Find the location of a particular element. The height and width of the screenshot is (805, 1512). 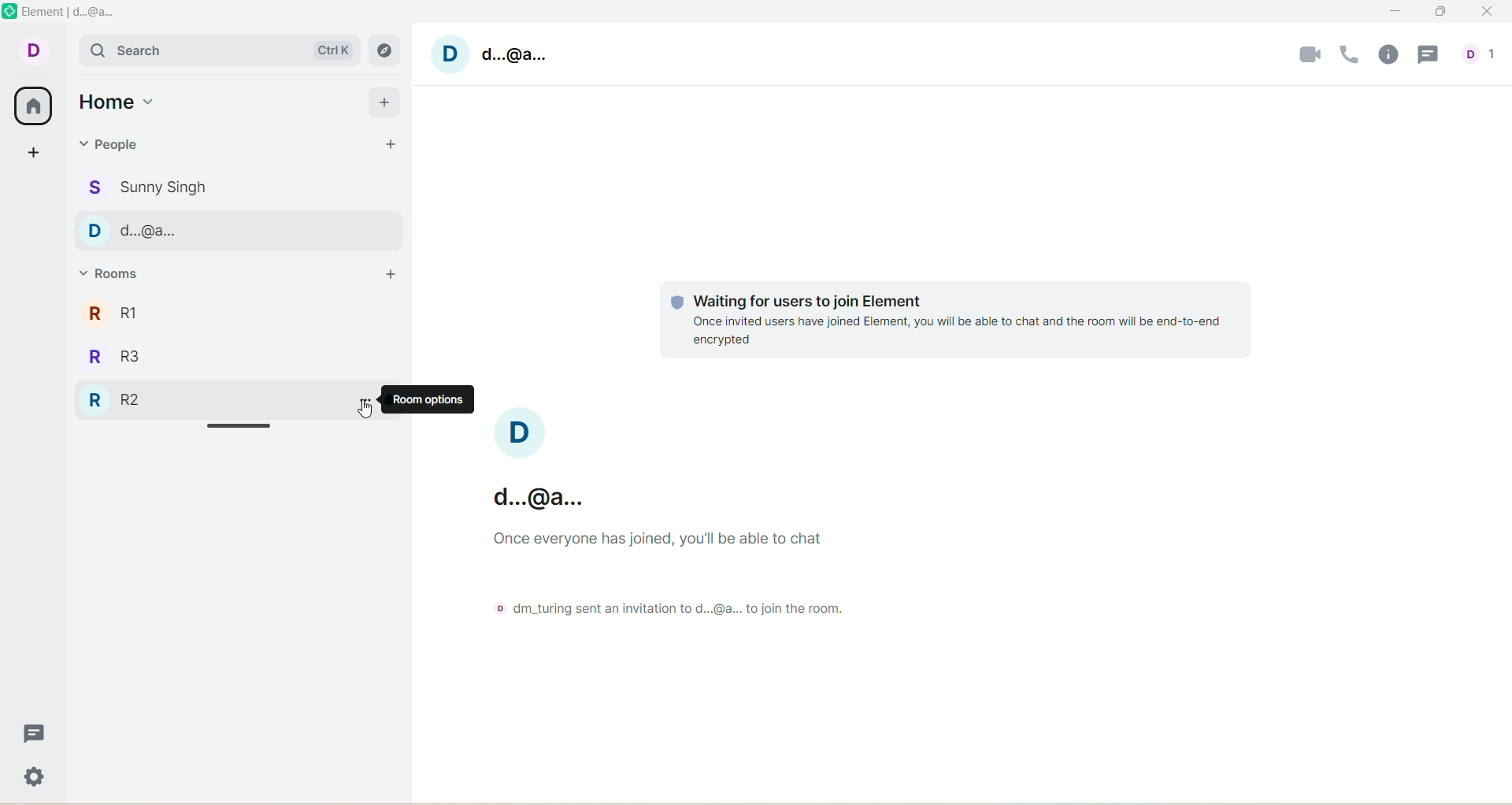

account is located at coordinates (552, 461).